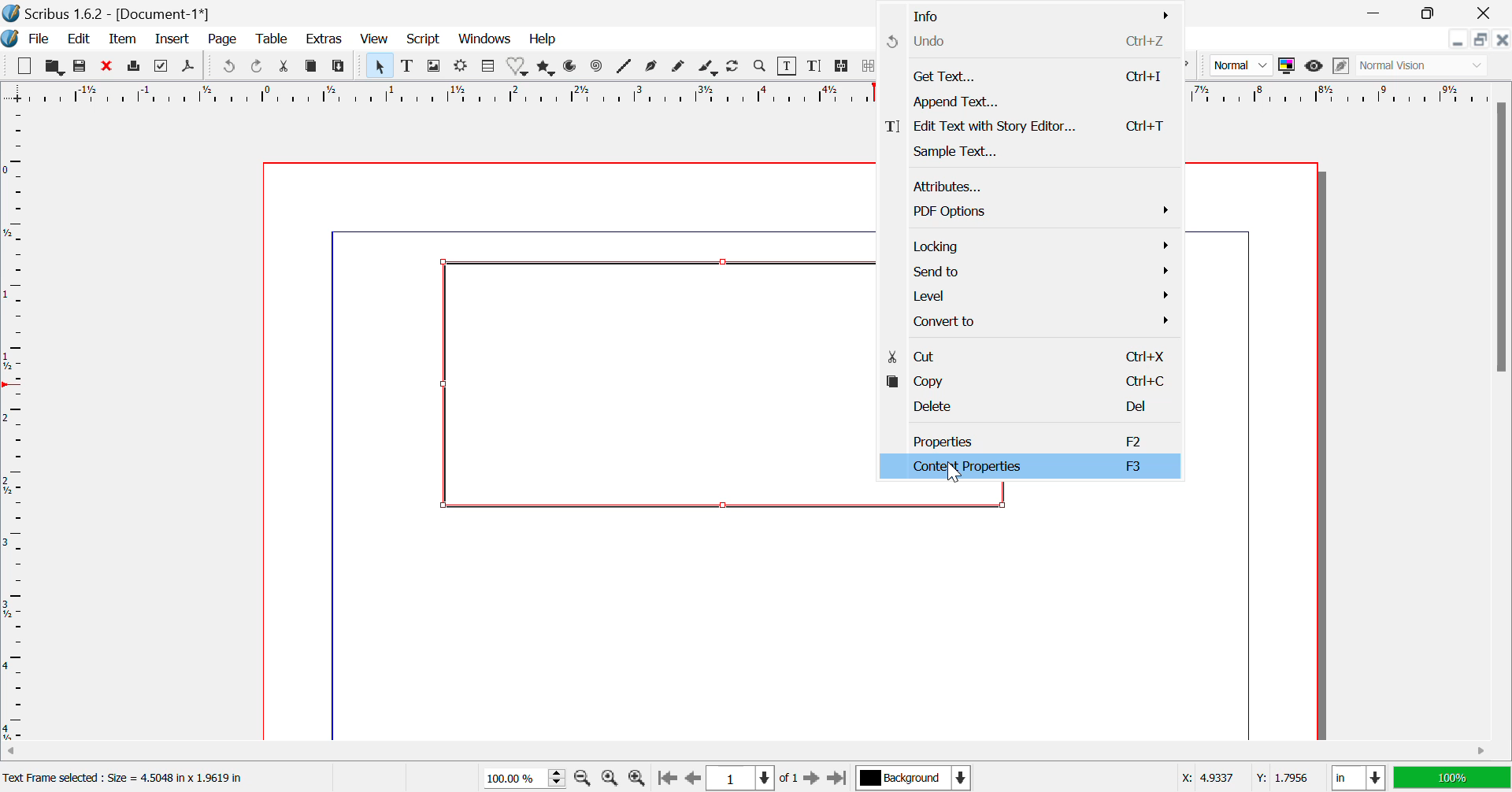 This screenshot has height=792, width=1512. I want to click on Zoom to 100%, so click(610, 779).